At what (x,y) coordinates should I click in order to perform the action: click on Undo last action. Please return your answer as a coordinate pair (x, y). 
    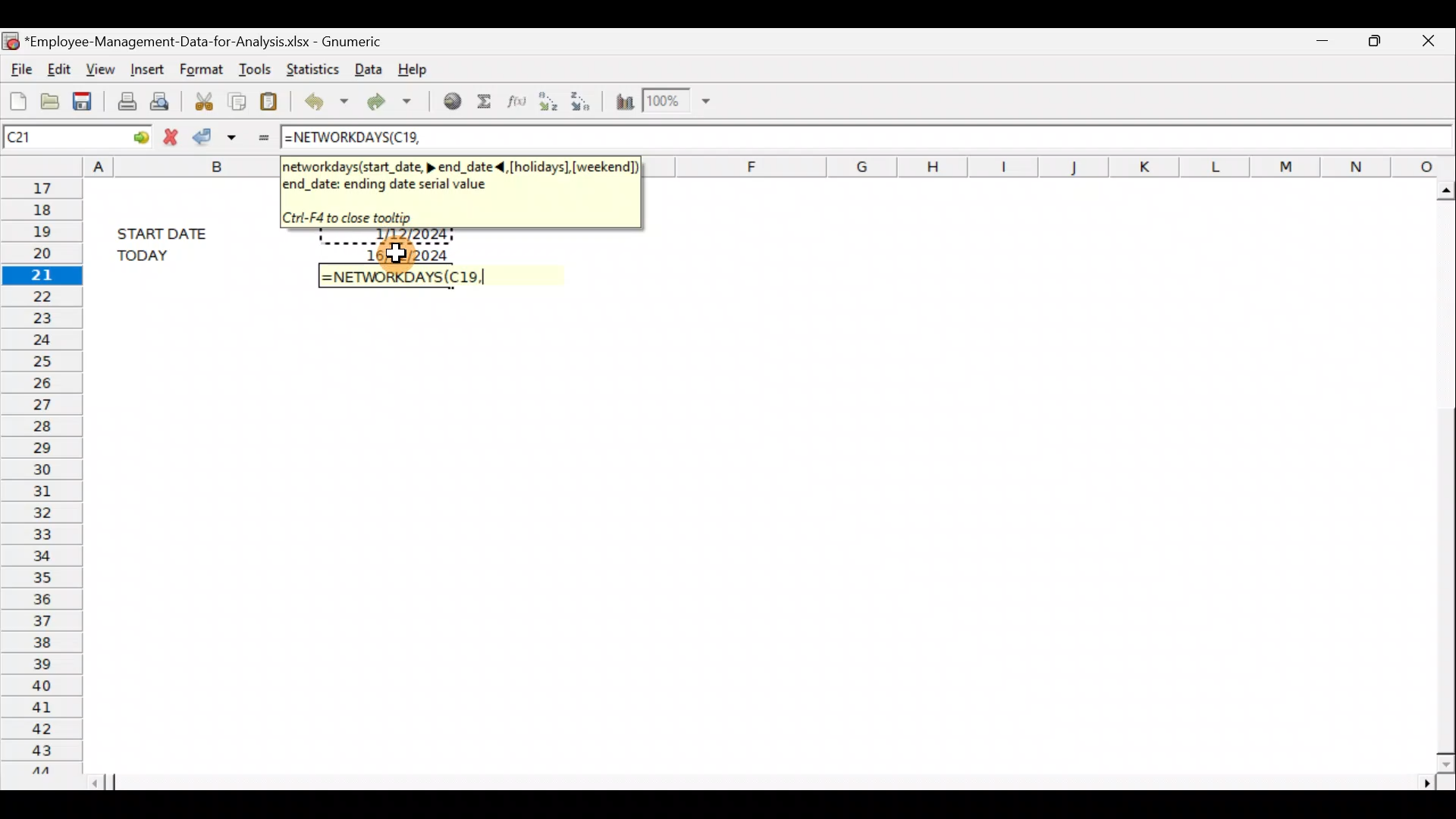
    Looking at the image, I should click on (323, 99).